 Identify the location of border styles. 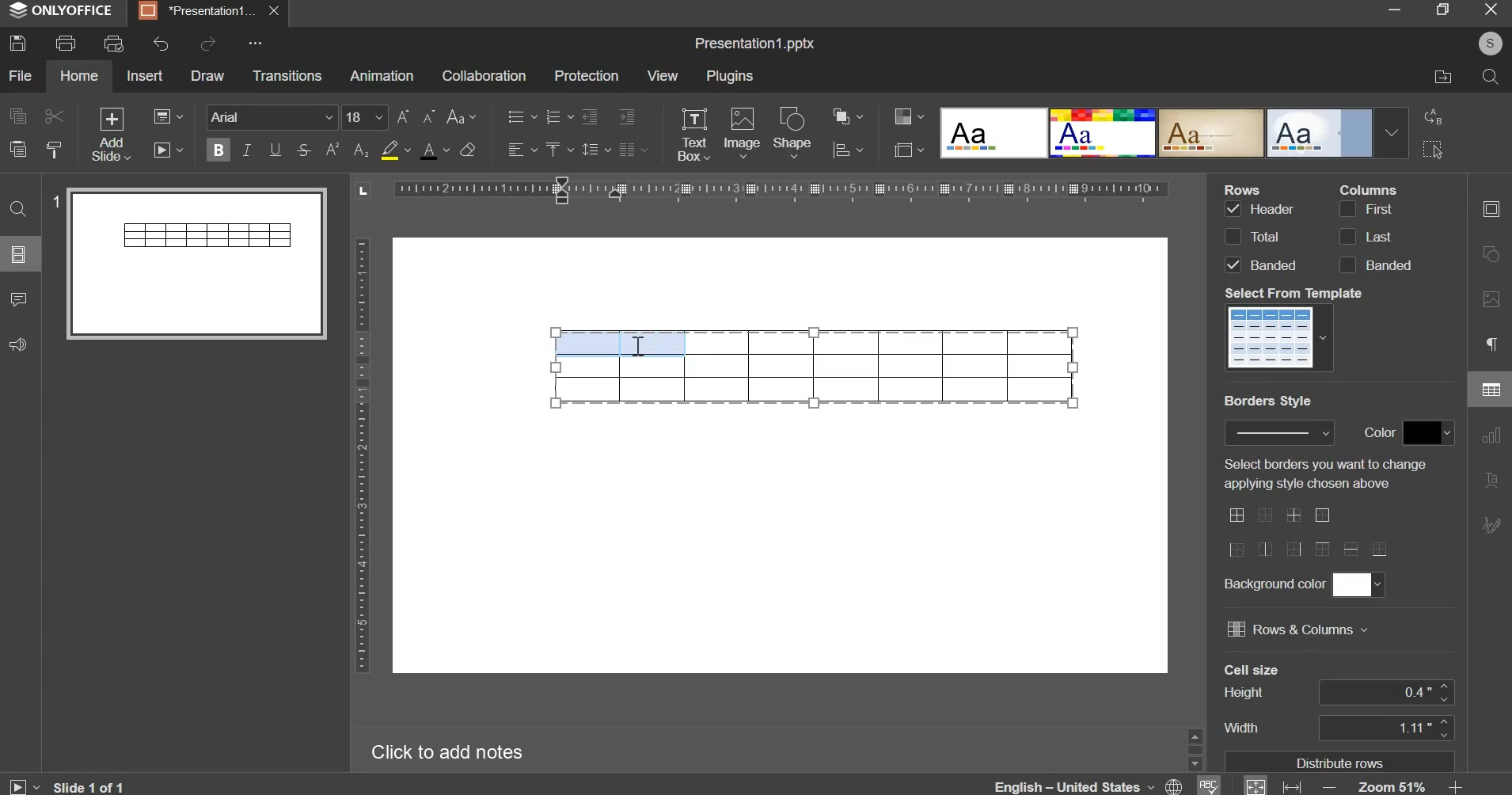
(1309, 531).